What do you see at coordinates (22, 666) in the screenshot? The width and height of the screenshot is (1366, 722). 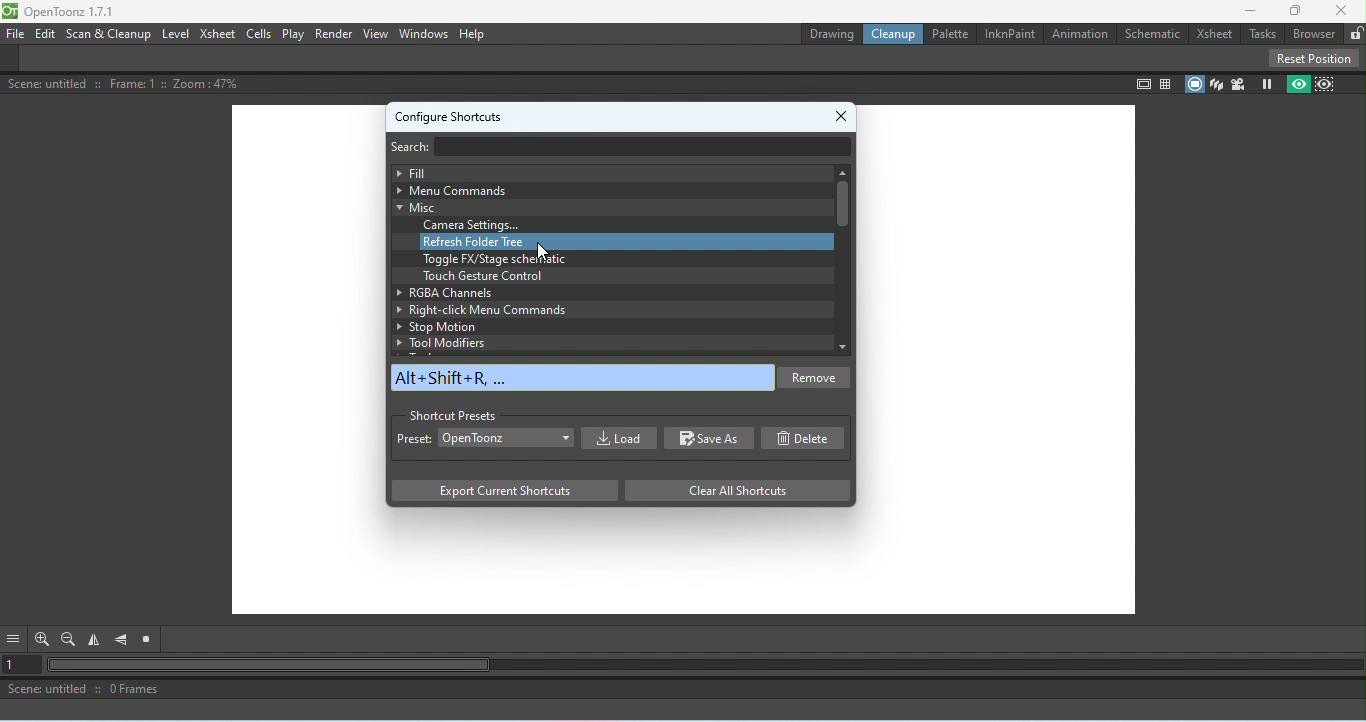 I see `Set the current frame` at bounding box center [22, 666].